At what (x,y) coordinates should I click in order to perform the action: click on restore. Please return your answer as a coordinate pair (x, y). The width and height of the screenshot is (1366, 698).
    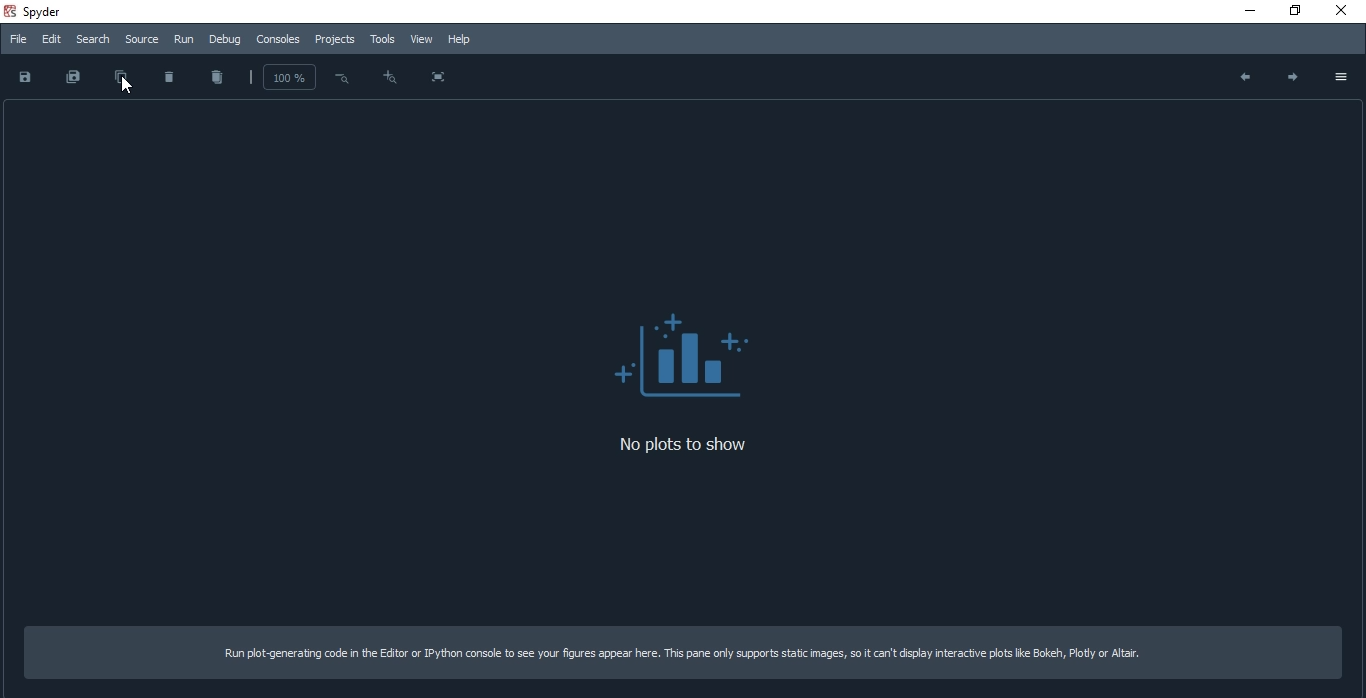
    Looking at the image, I should click on (1291, 11).